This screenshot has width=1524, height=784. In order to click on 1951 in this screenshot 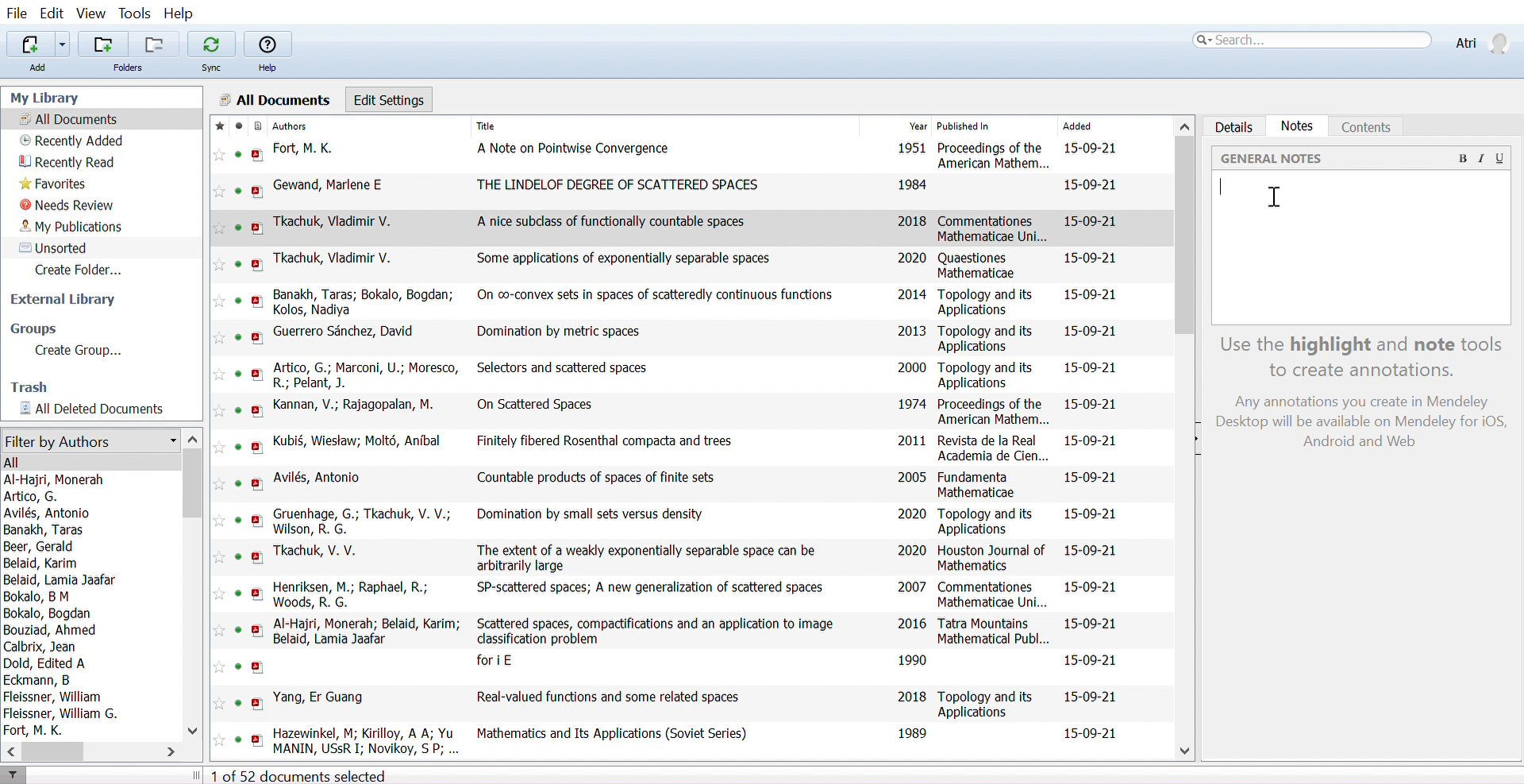, I will do `click(913, 149)`.